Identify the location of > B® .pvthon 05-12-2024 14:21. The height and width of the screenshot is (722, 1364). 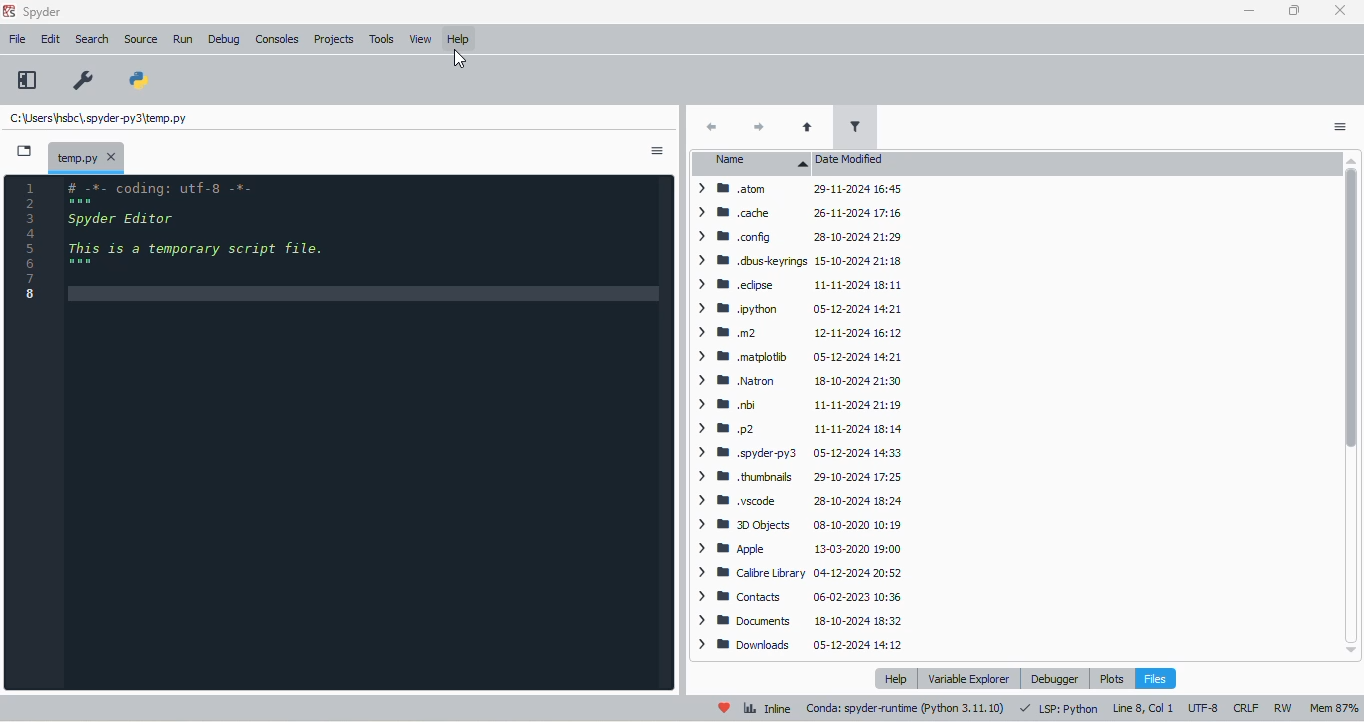
(796, 306).